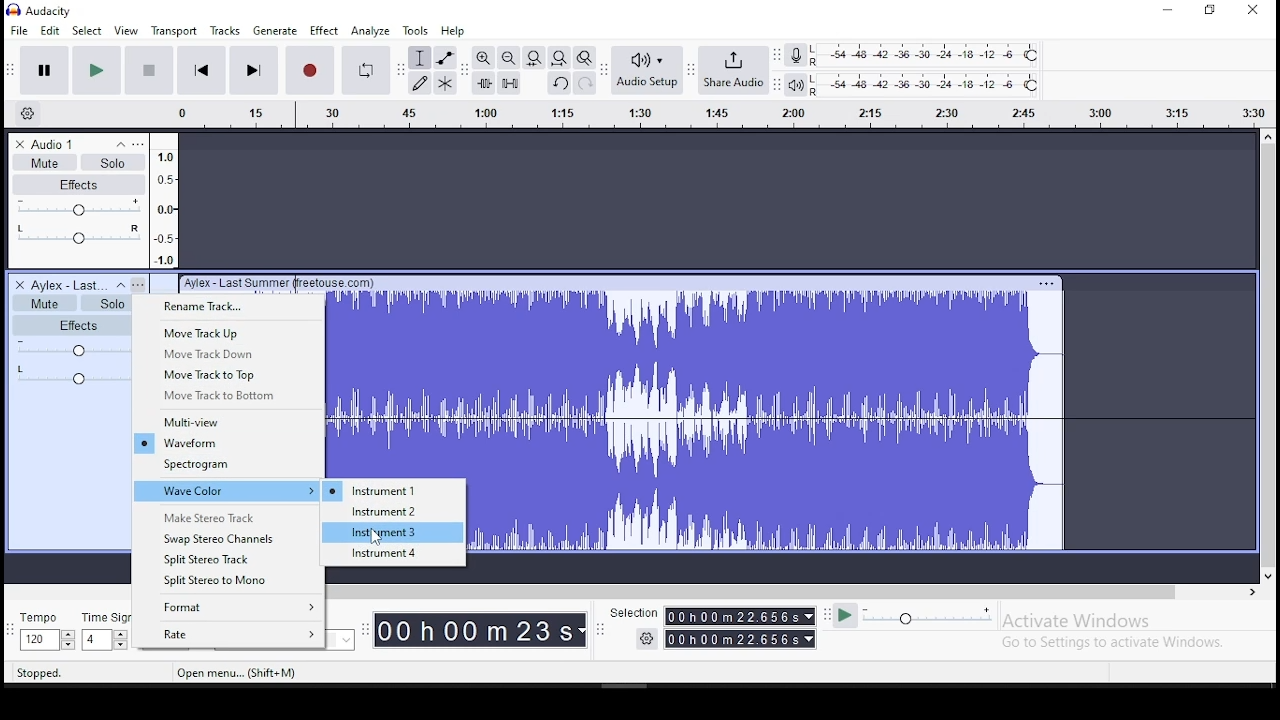 This screenshot has height=720, width=1280. Describe the element at coordinates (230, 353) in the screenshot. I see `move track down` at that location.